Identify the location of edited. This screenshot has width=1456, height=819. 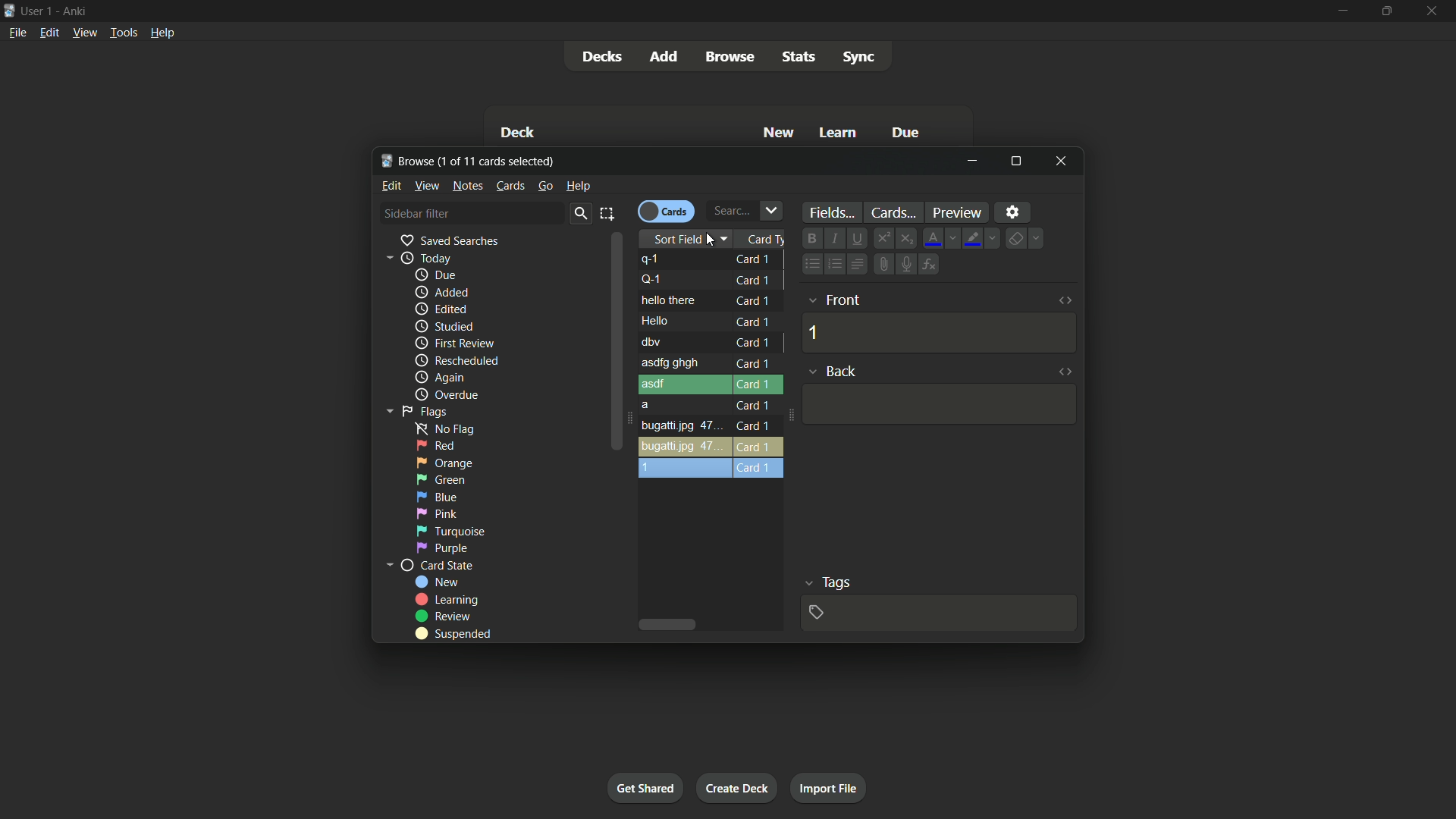
(440, 309).